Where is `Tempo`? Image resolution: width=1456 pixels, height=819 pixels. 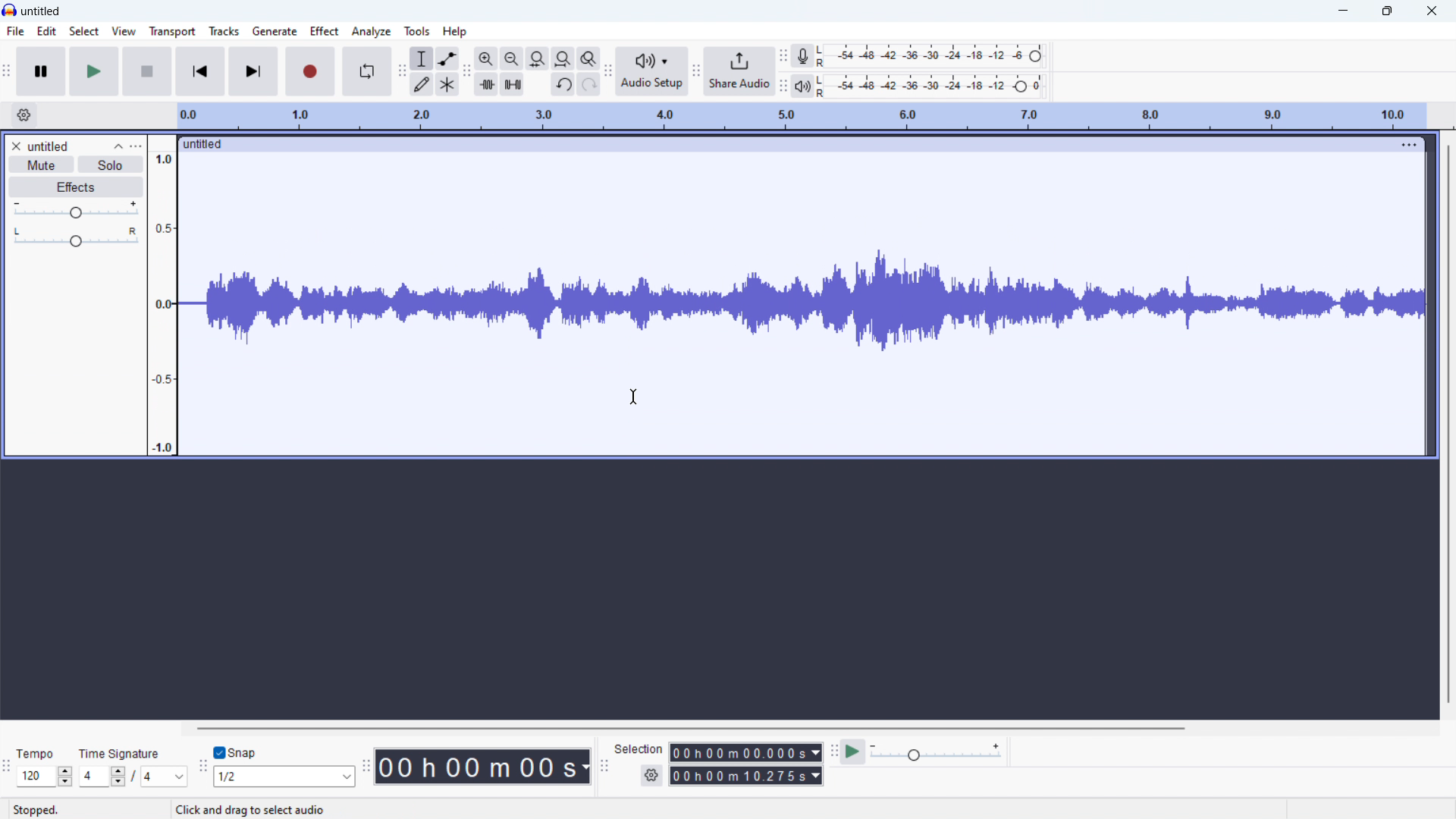 Tempo is located at coordinates (39, 754).